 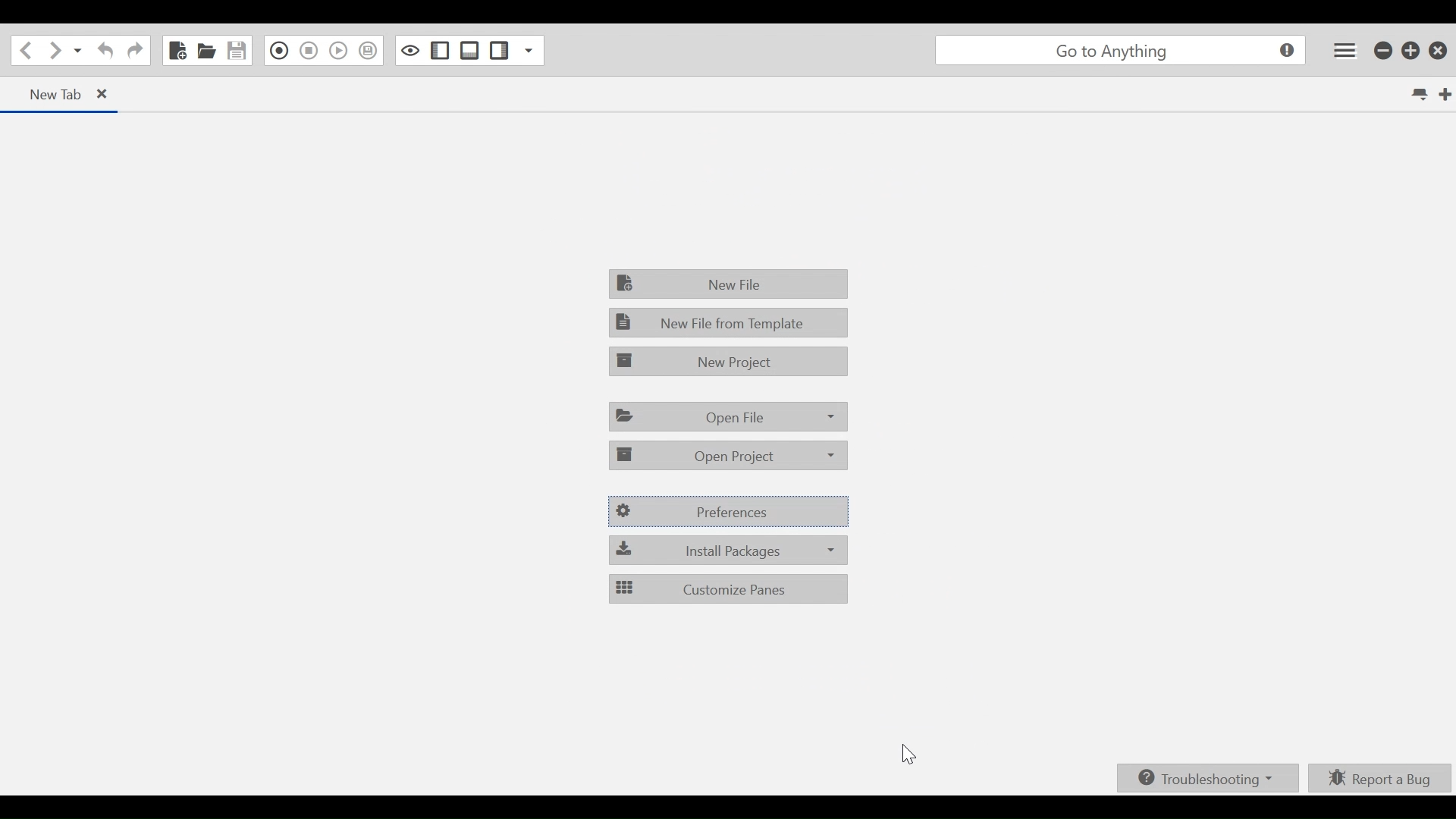 What do you see at coordinates (110, 96) in the screenshot?
I see `close` at bounding box center [110, 96].